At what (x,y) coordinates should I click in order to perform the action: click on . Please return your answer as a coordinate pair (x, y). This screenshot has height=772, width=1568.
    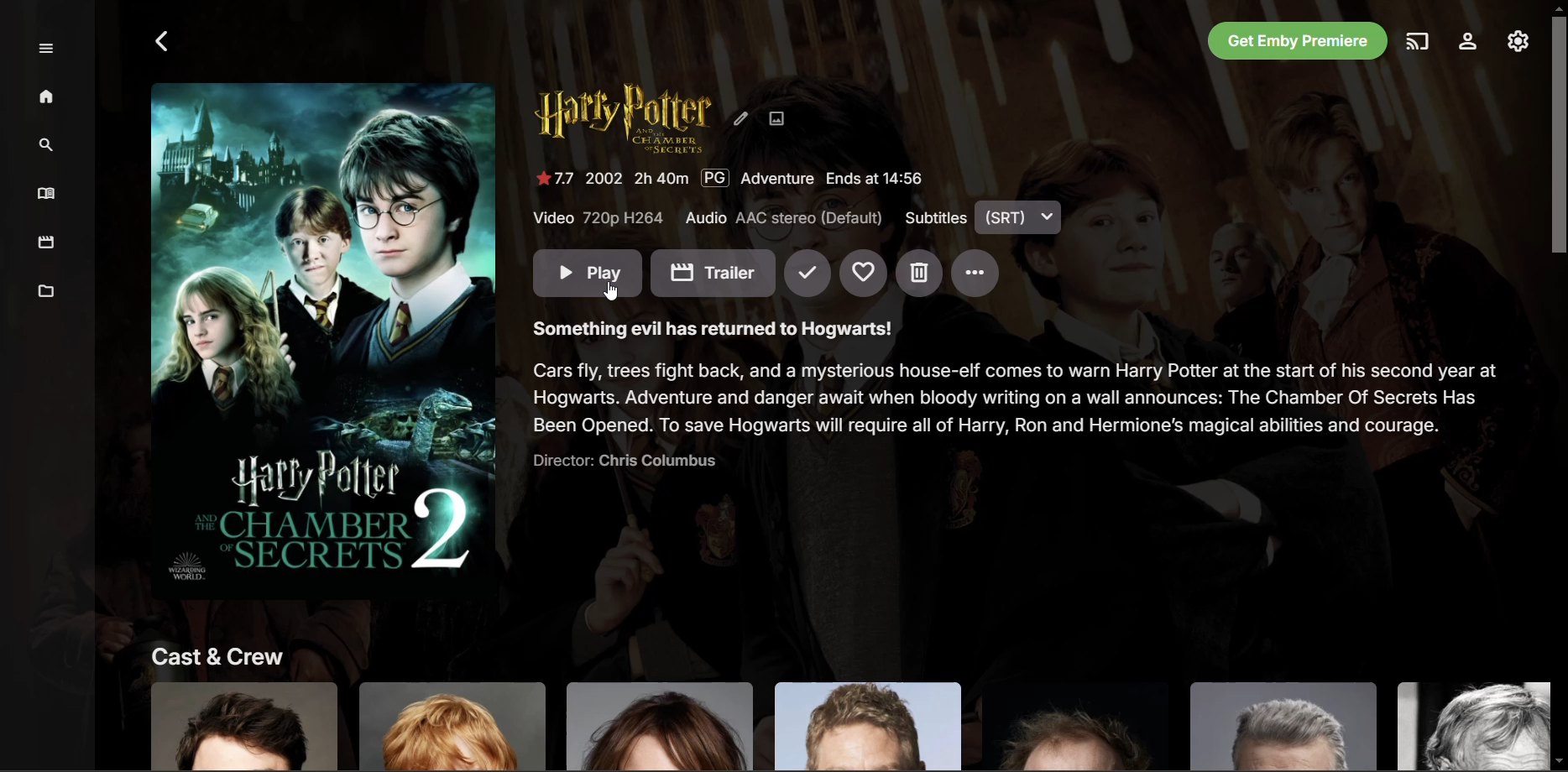
    Looking at the image, I should click on (841, 725).